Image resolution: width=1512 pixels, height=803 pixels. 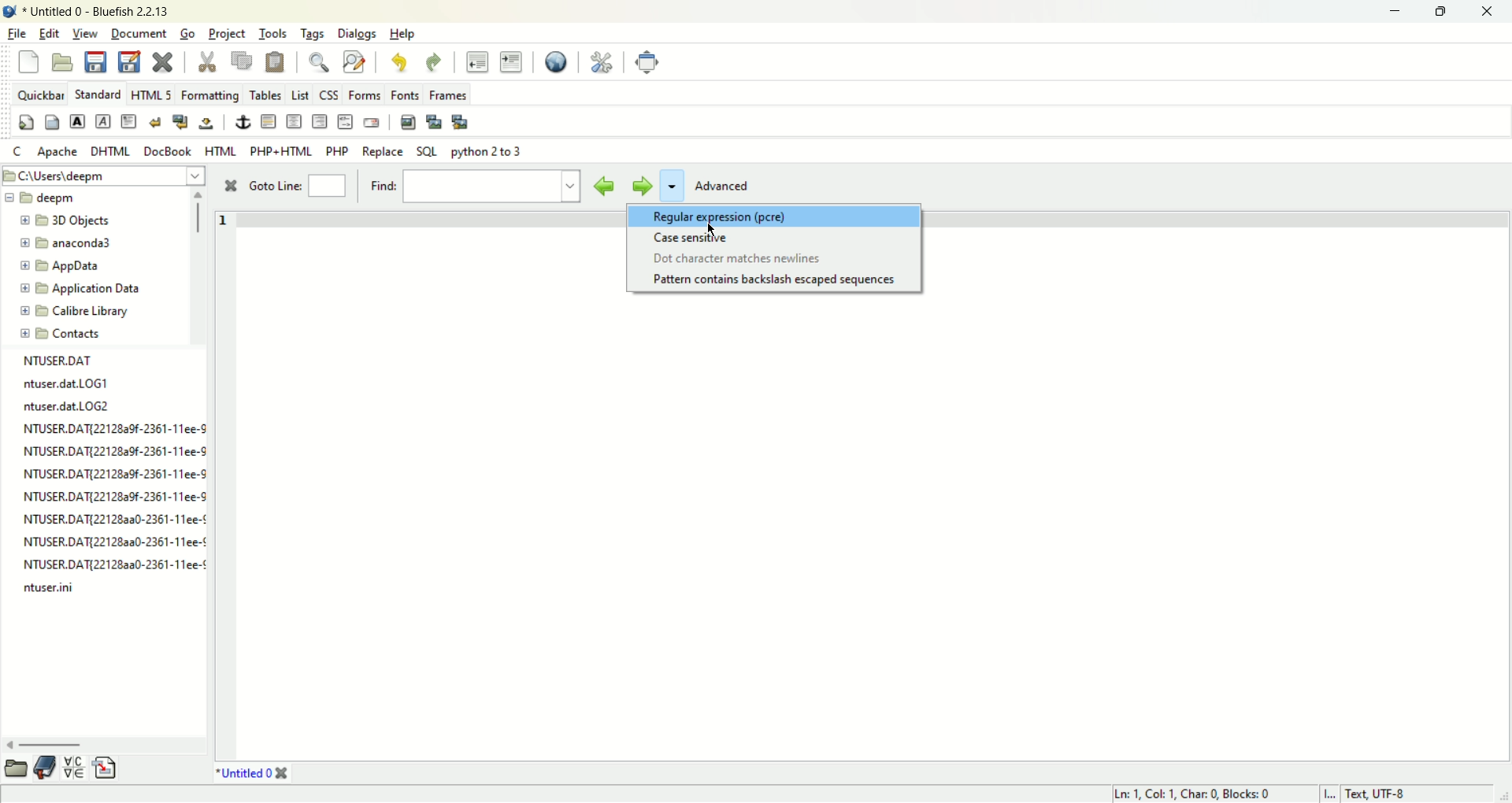 What do you see at coordinates (222, 236) in the screenshot?
I see `line number` at bounding box center [222, 236].